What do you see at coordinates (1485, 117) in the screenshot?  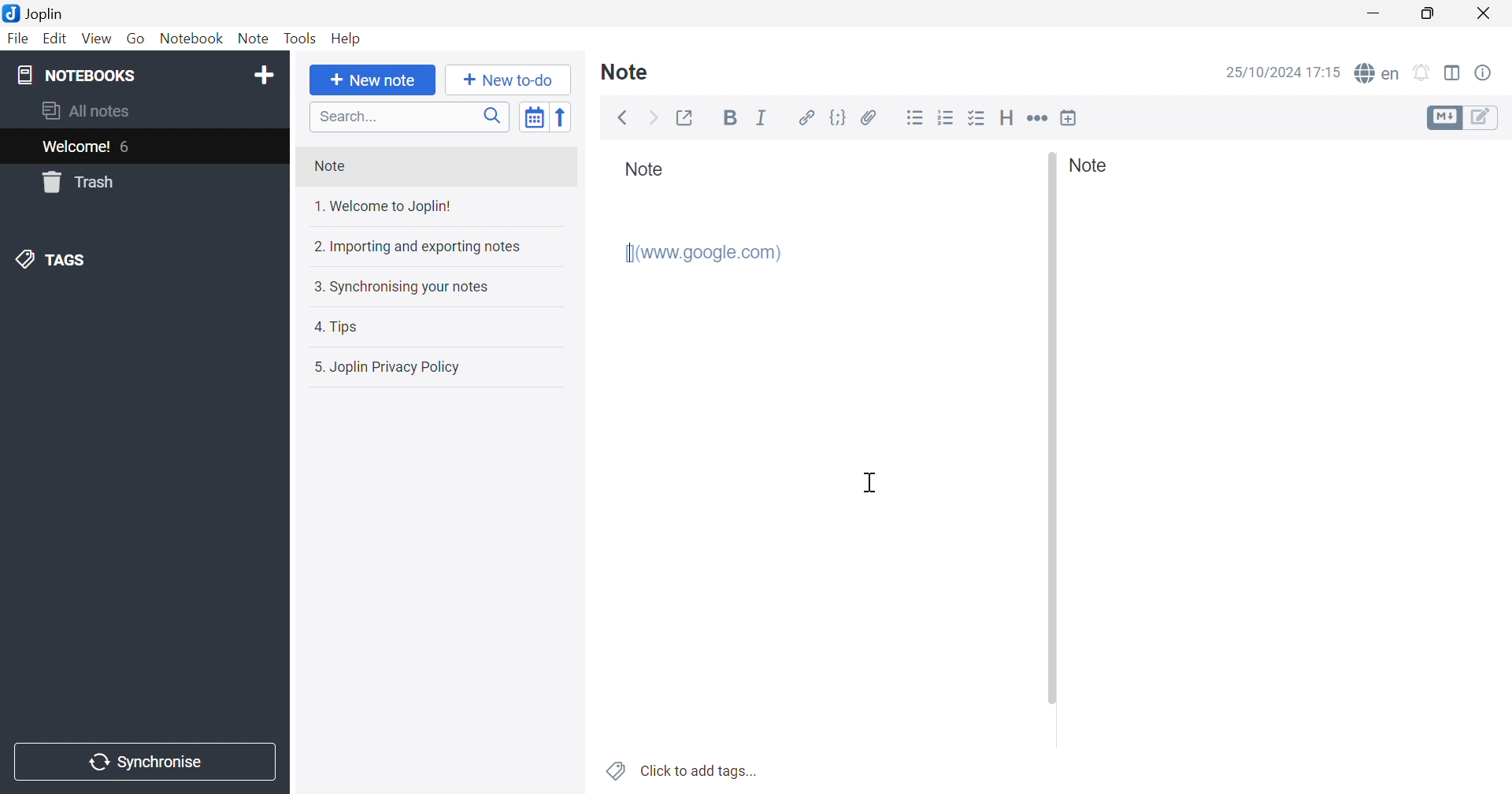 I see `Toggle editors` at bounding box center [1485, 117].